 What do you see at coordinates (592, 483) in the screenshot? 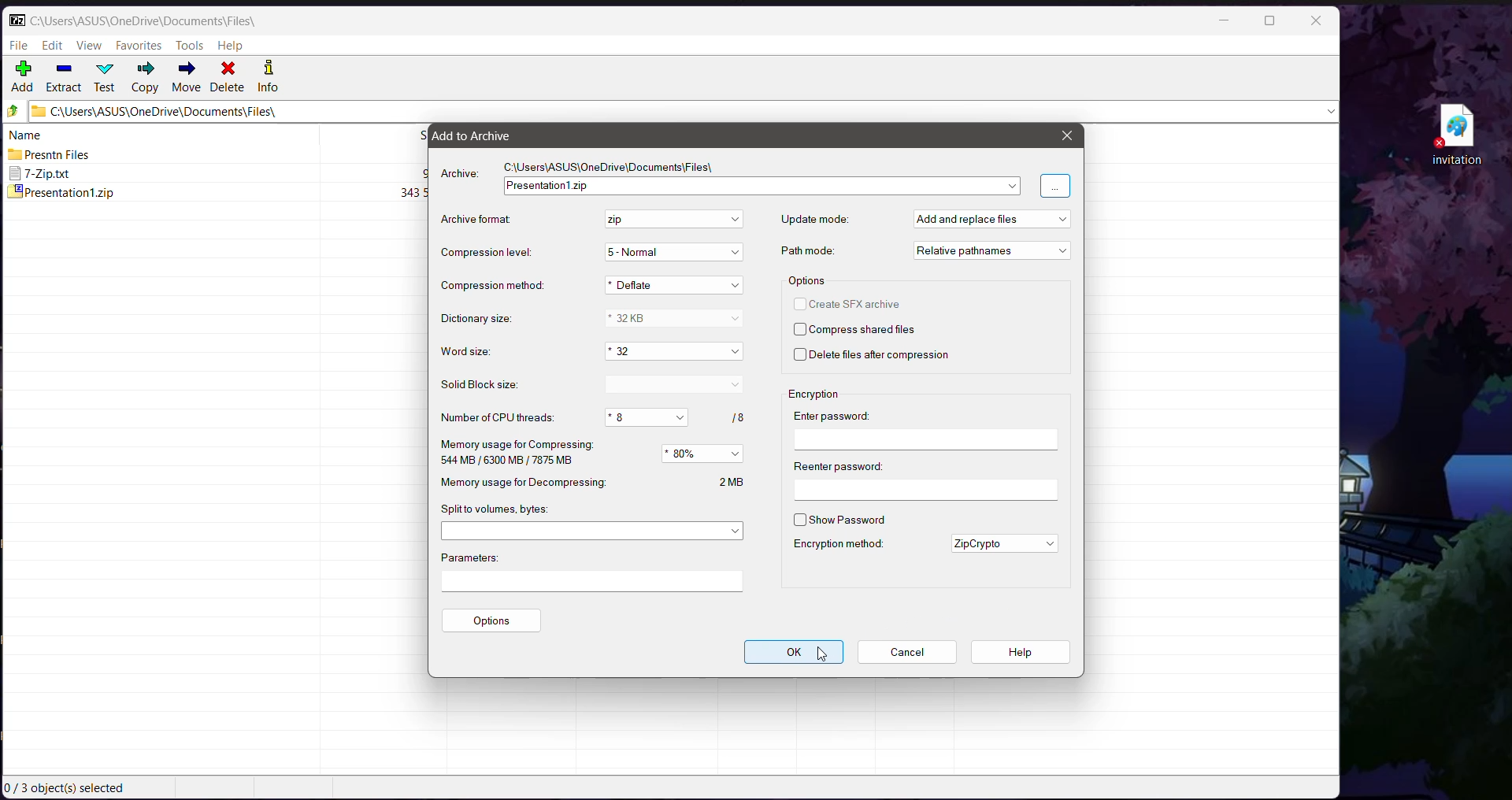
I see `Memory usage for Decompressing` at bounding box center [592, 483].